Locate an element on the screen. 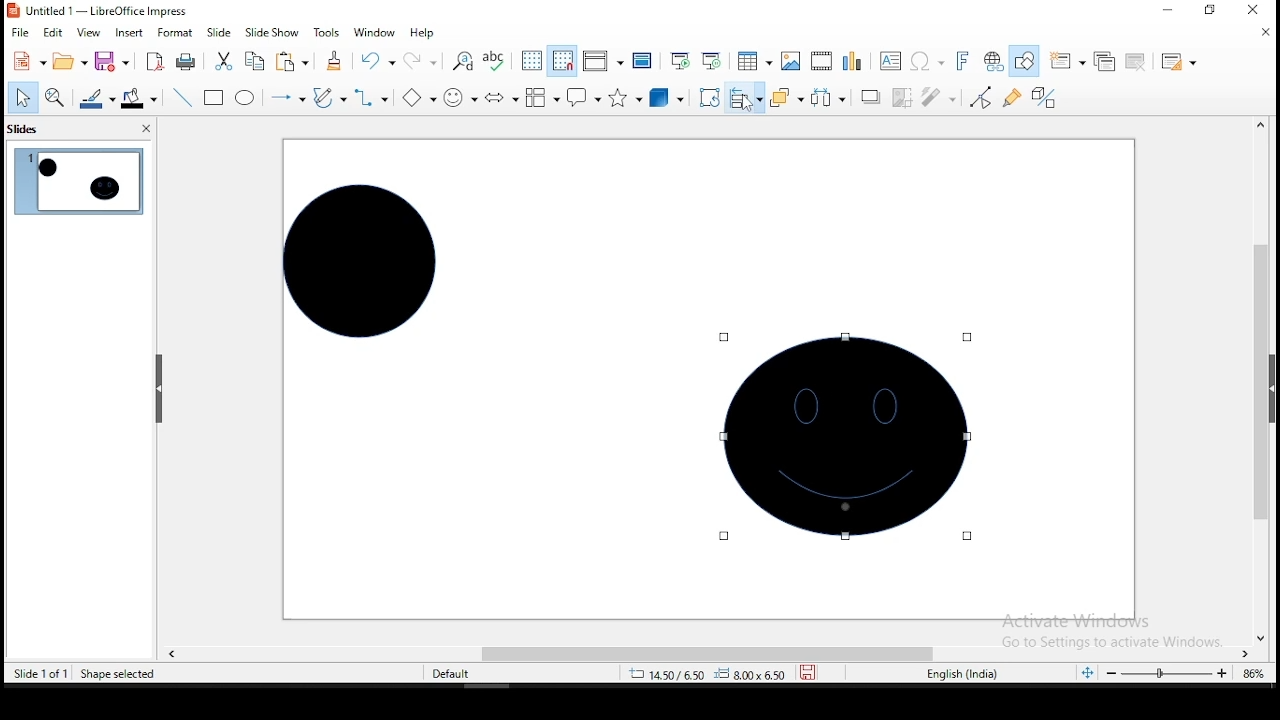 This screenshot has width=1280, height=720. start from first slide is located at coordinates (680, 61).